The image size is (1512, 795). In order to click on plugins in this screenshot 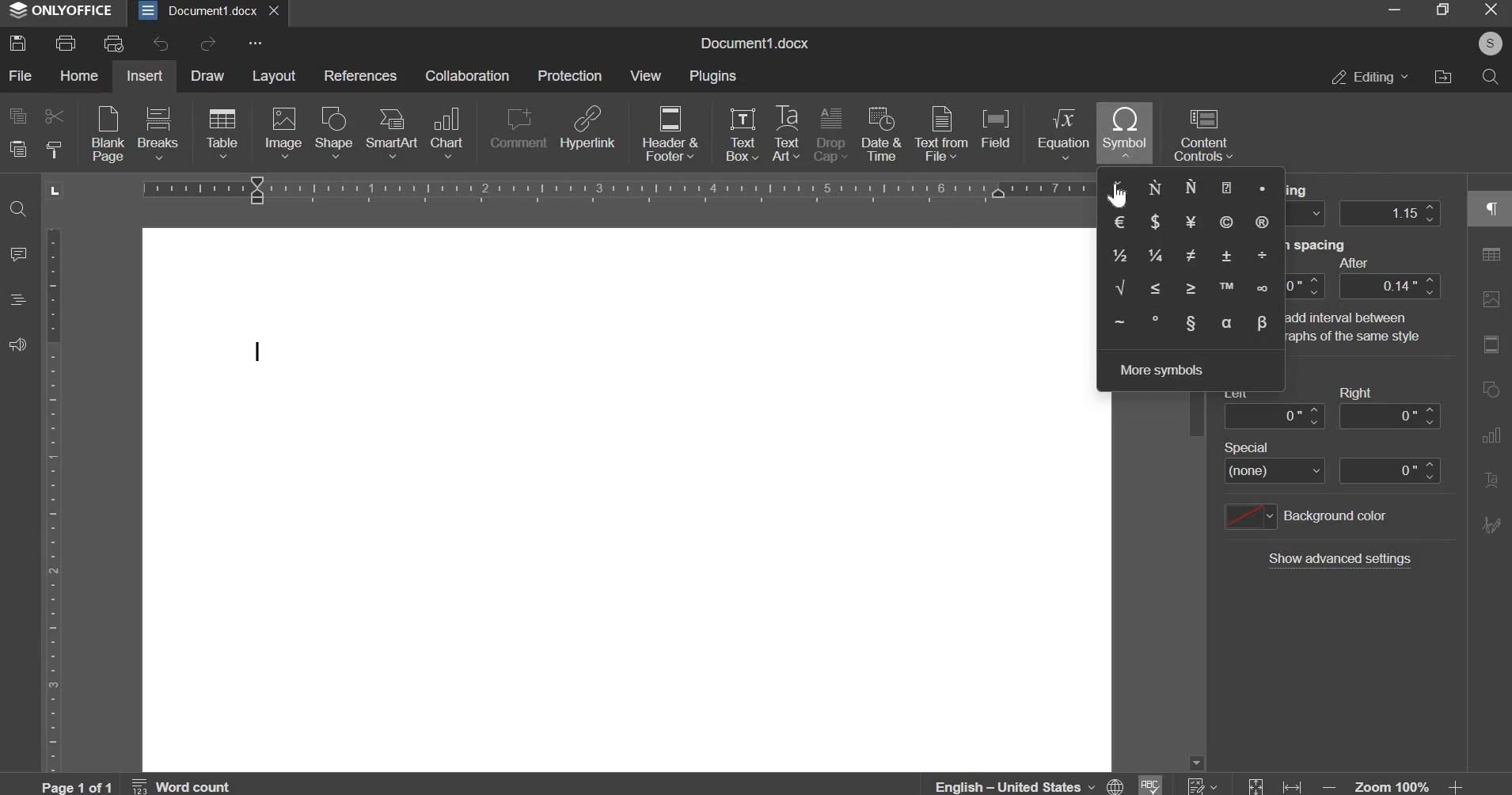, I will do `click(713, 77)`.